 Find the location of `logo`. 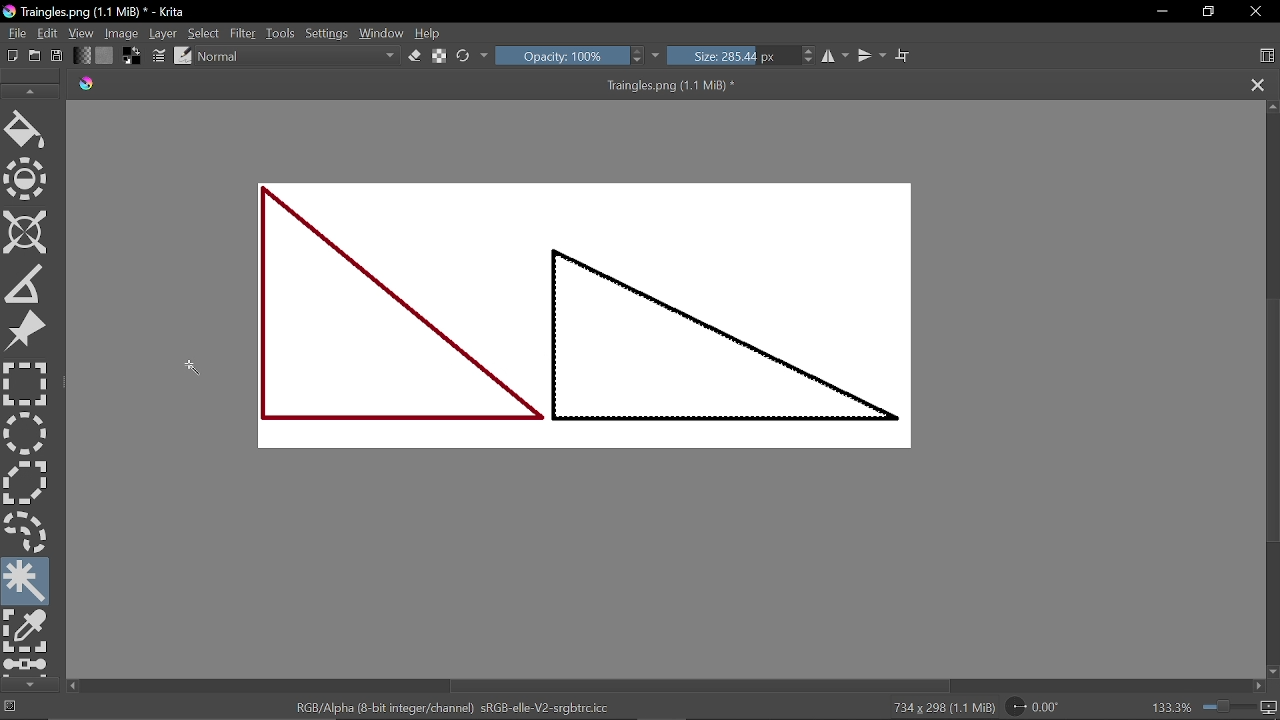

logo is located at coordinates (87, 85).